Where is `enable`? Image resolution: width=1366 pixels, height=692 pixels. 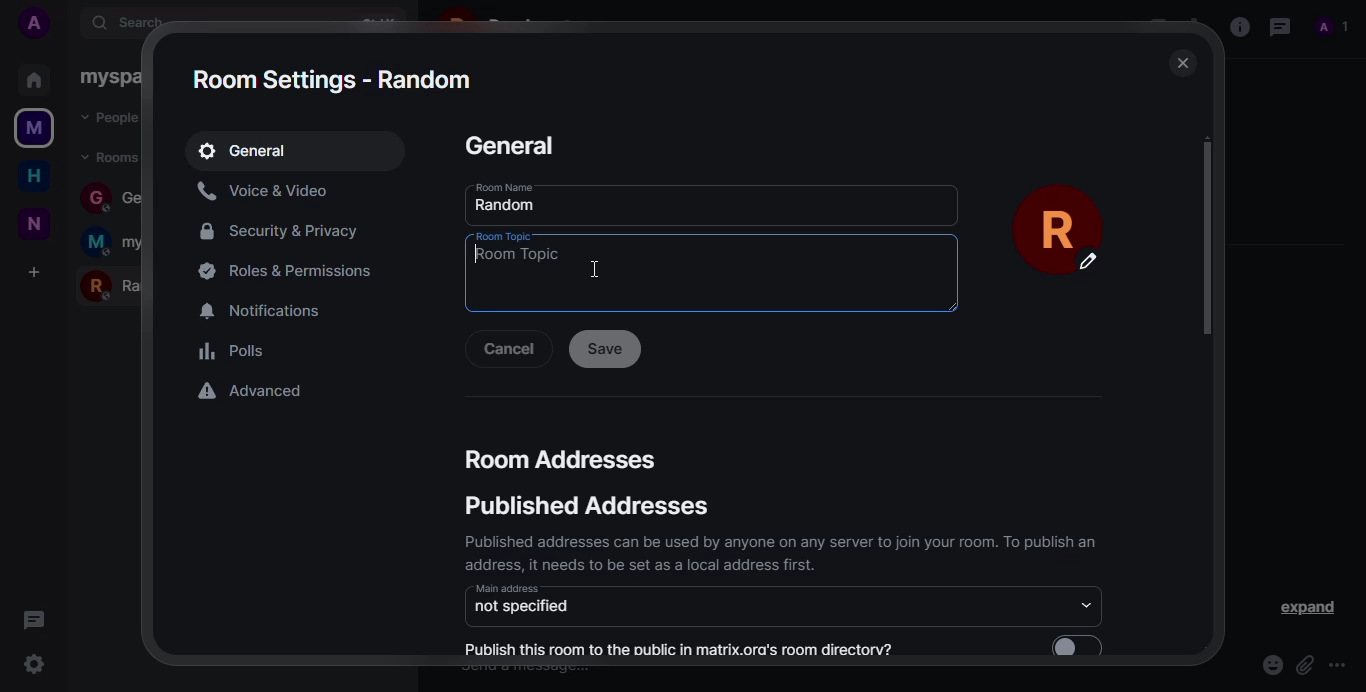 enable is located at coordinates (1082, 646).